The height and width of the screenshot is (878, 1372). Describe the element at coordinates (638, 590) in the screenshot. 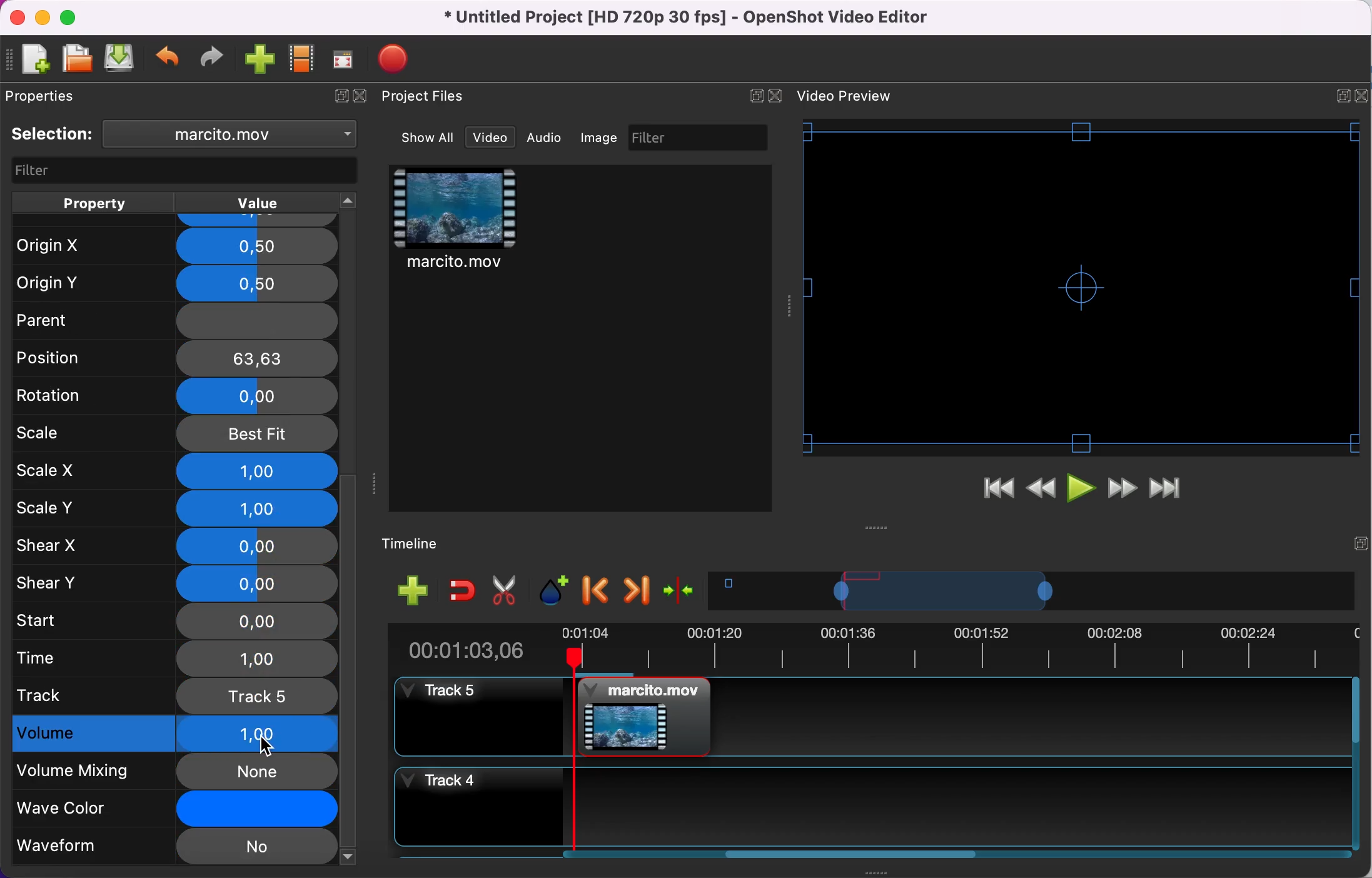

I see `next marker` at that location.